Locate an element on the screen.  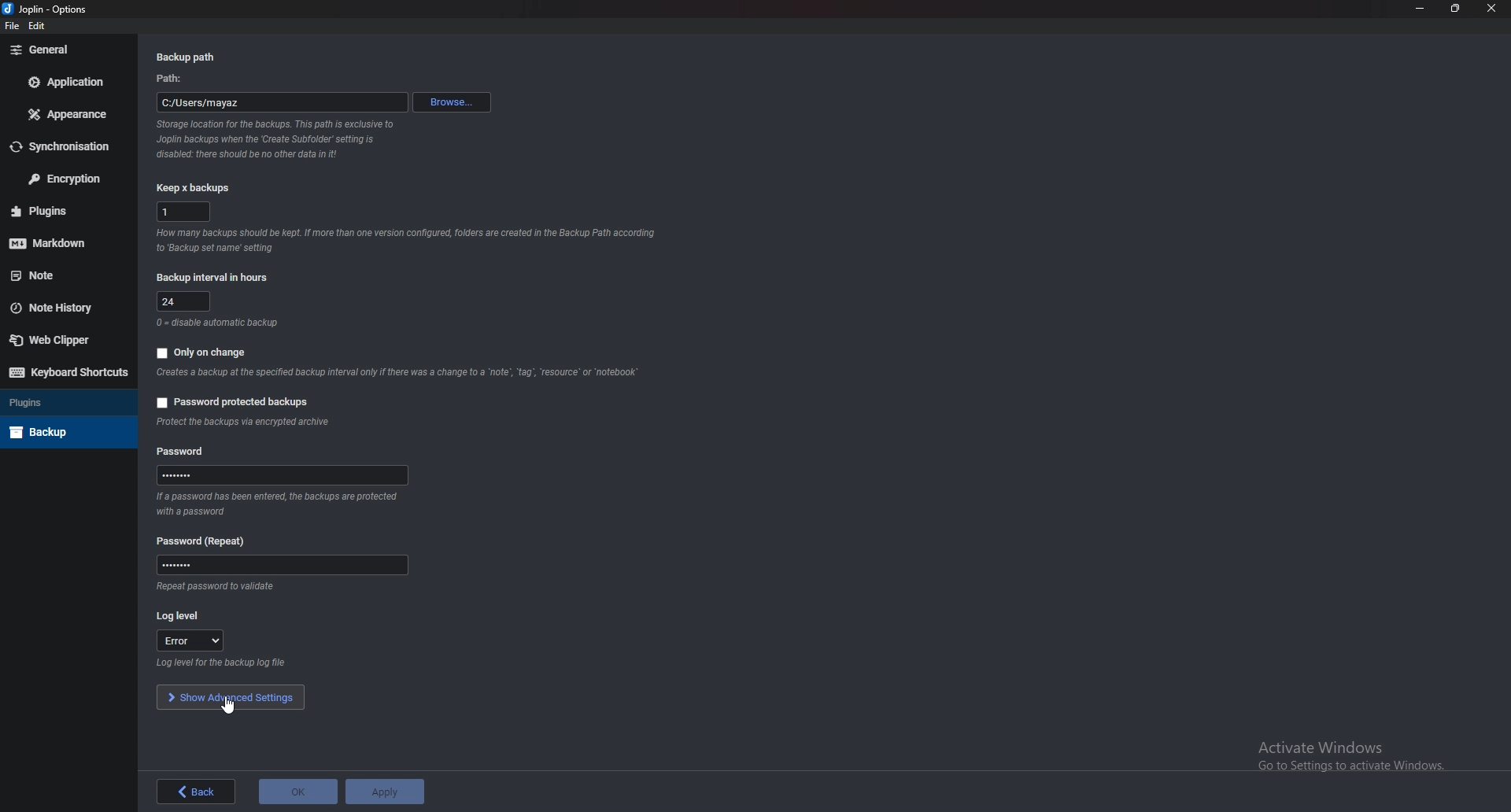
back up path is located at coordinates (190, 57).